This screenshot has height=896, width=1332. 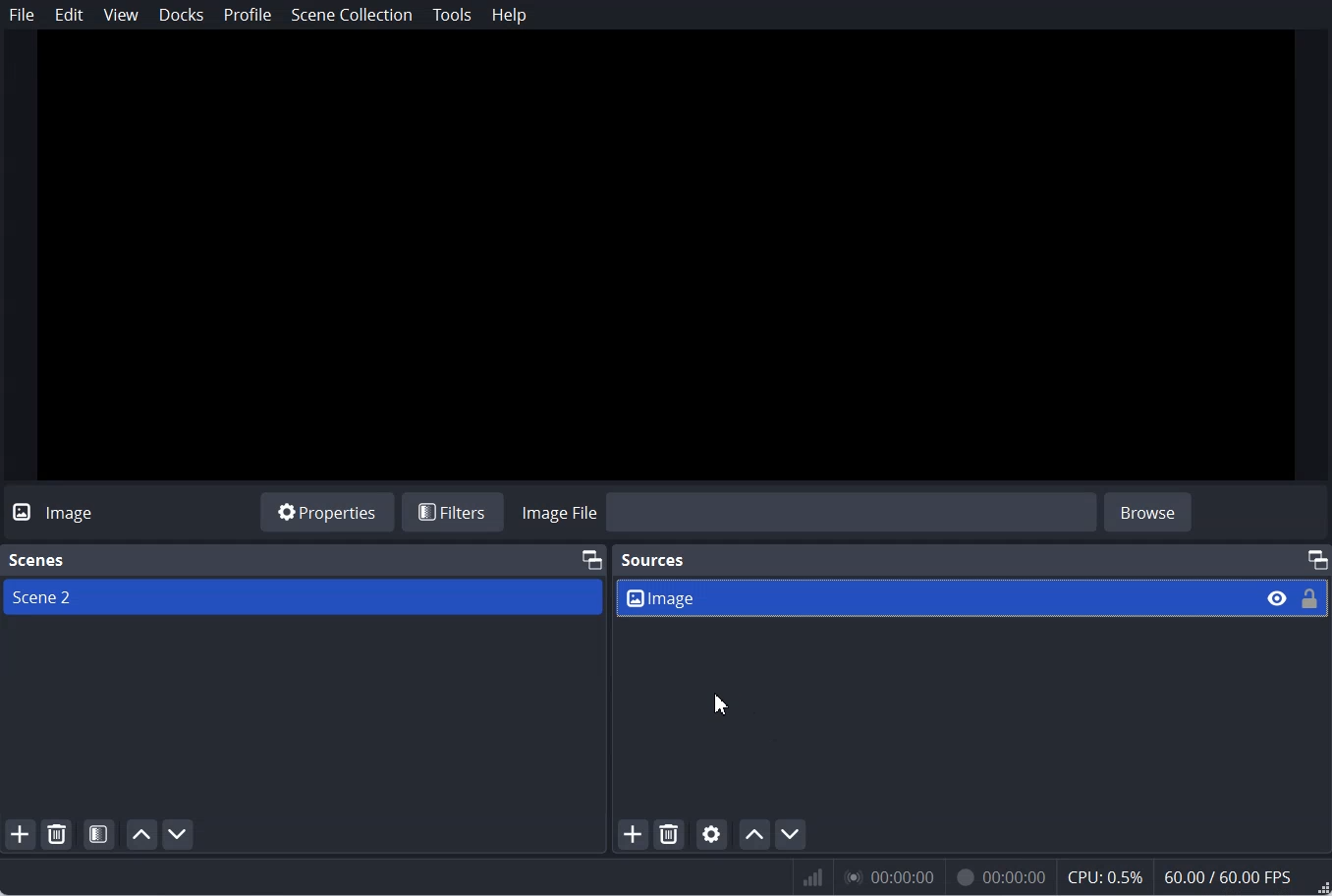 What do you see at coordinates (121, 15) in the screenshot?
I see `View` at bounding box center [121, 15].